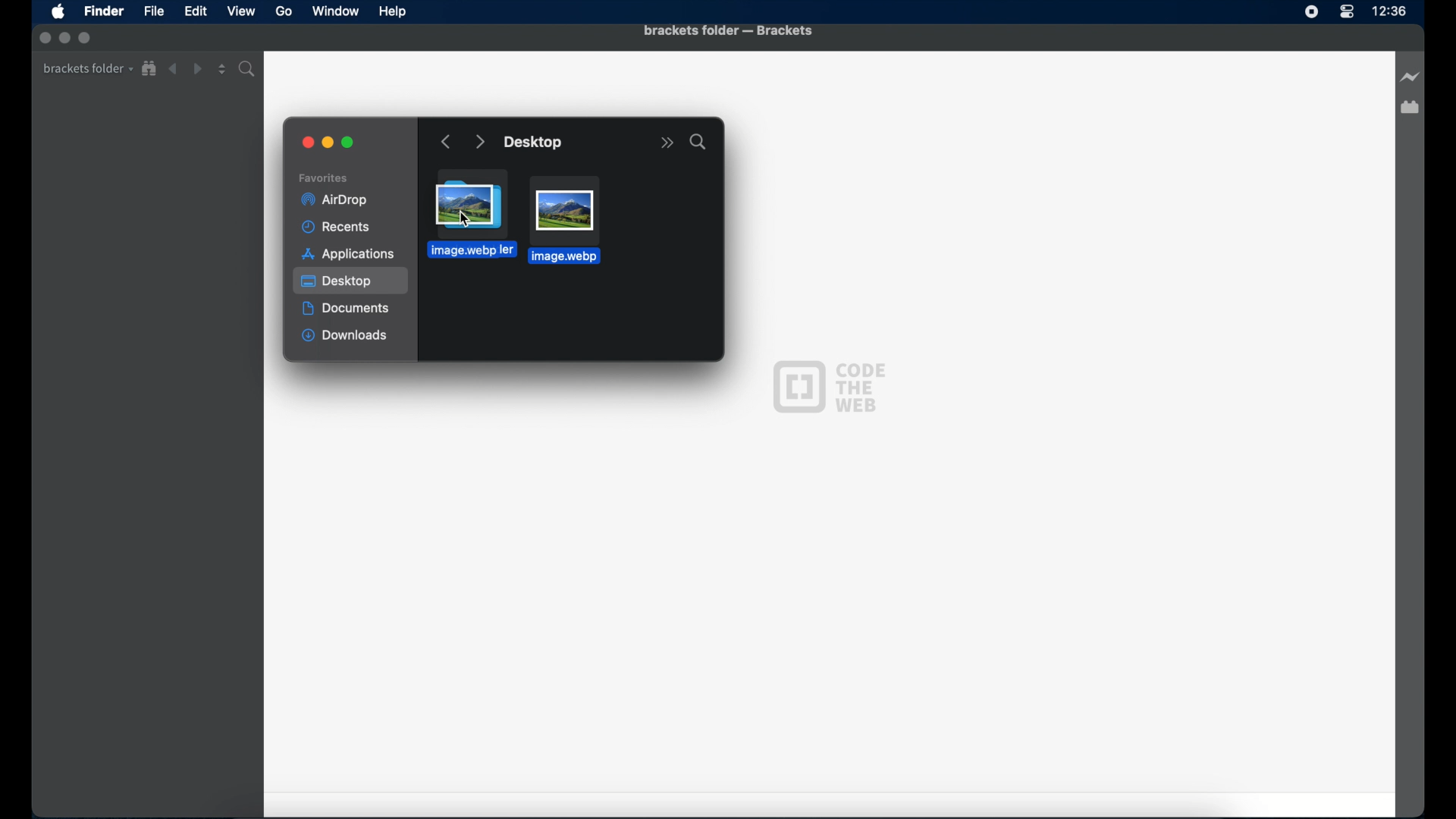 This screenshot has height=819, width=1456. What do you see at coordinates (86, 39) in the screenshot?
I see `inactive maximize button` at bounding box center [86, 39].